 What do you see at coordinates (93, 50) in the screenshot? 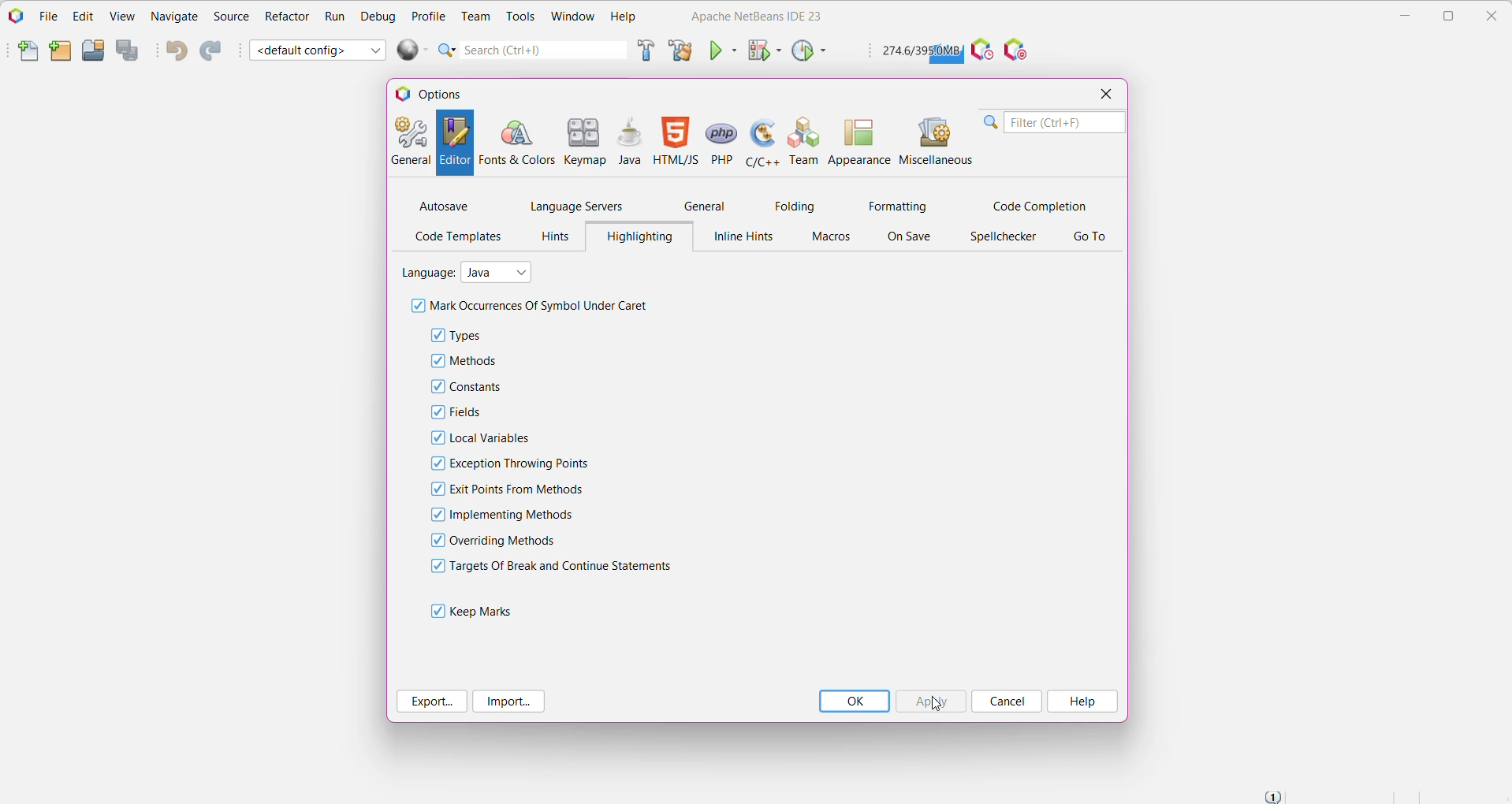
I see `Open Project` at bounding box center [93, 50].